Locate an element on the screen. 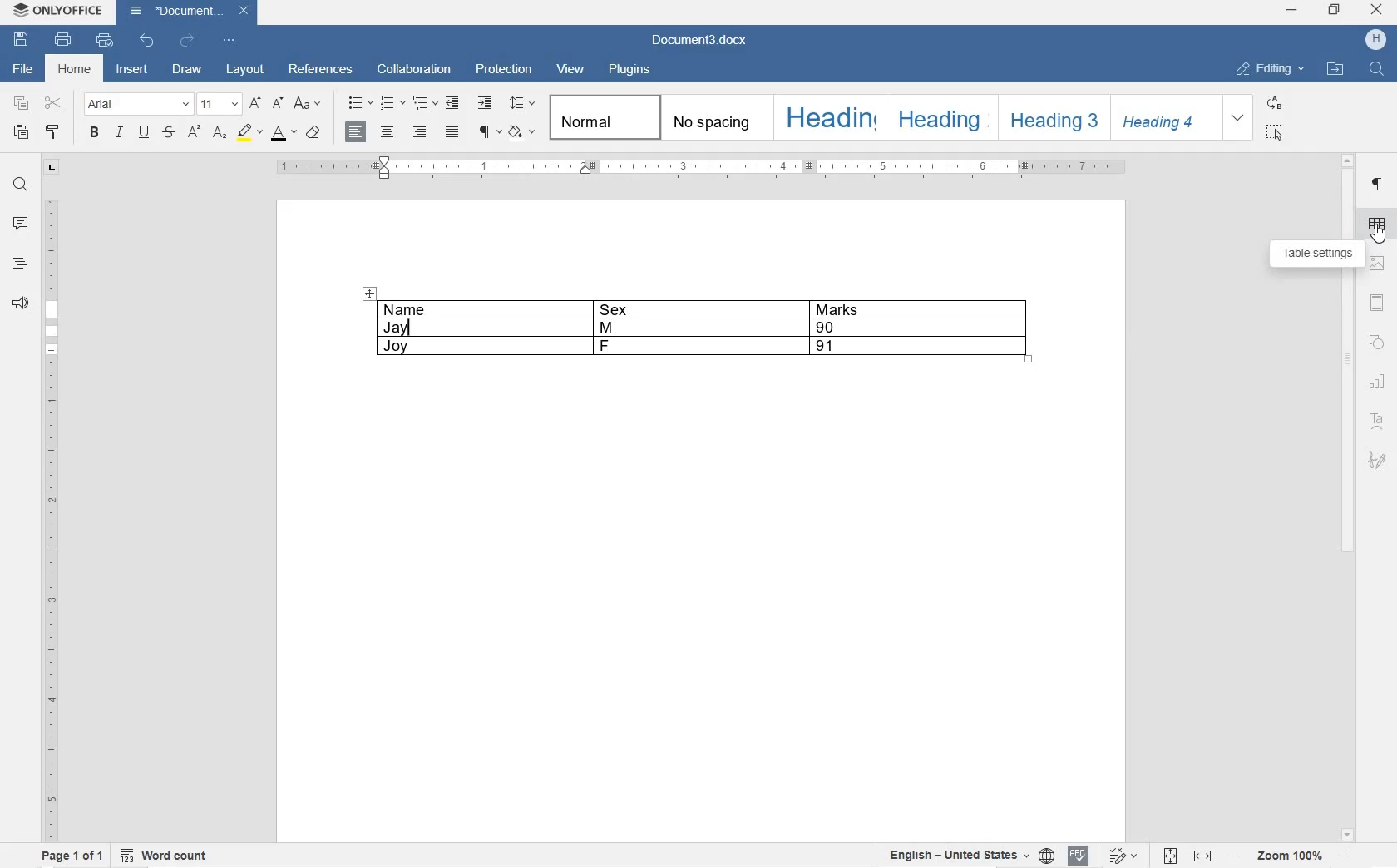  ALIGN RIGHT is located at coordinates (421, 131).